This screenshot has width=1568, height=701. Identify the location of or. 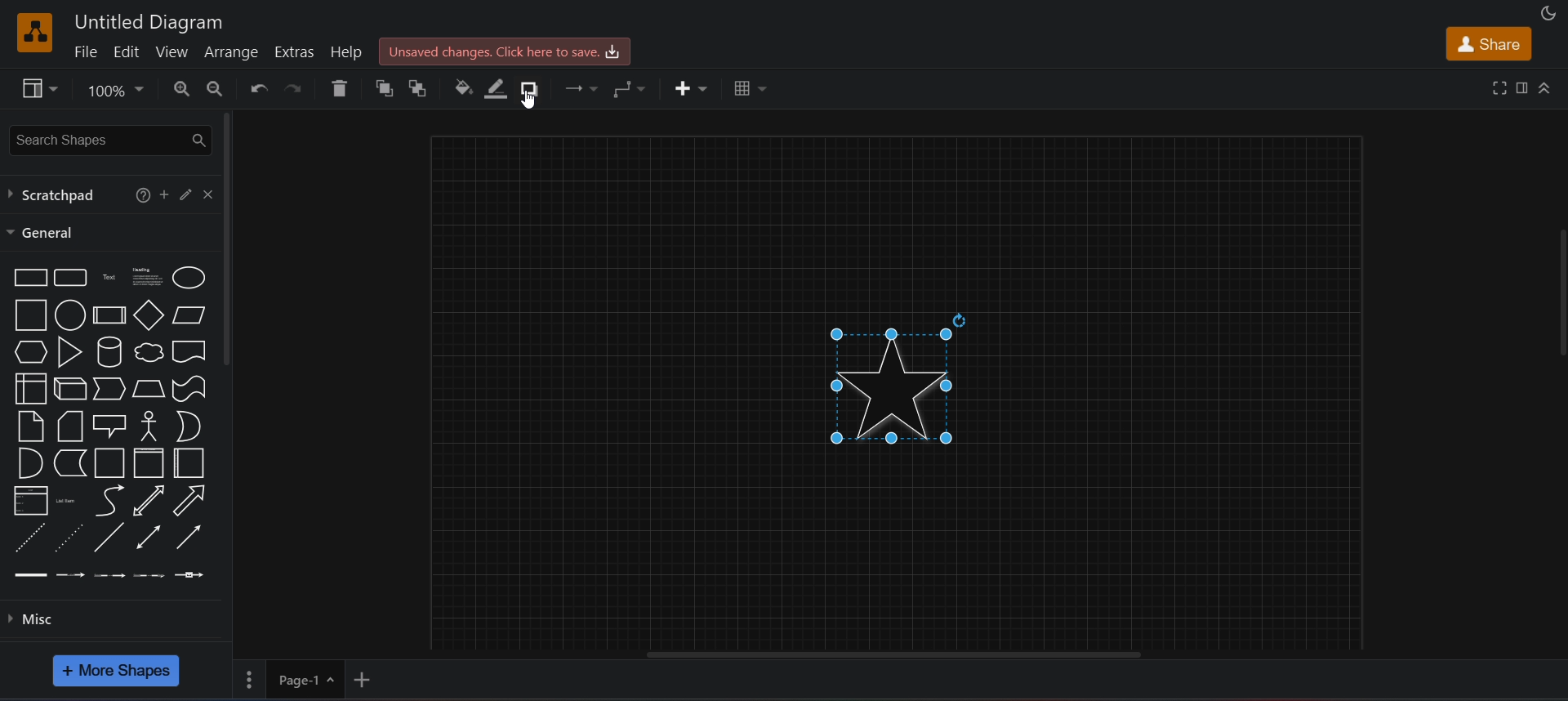
(189, 425).